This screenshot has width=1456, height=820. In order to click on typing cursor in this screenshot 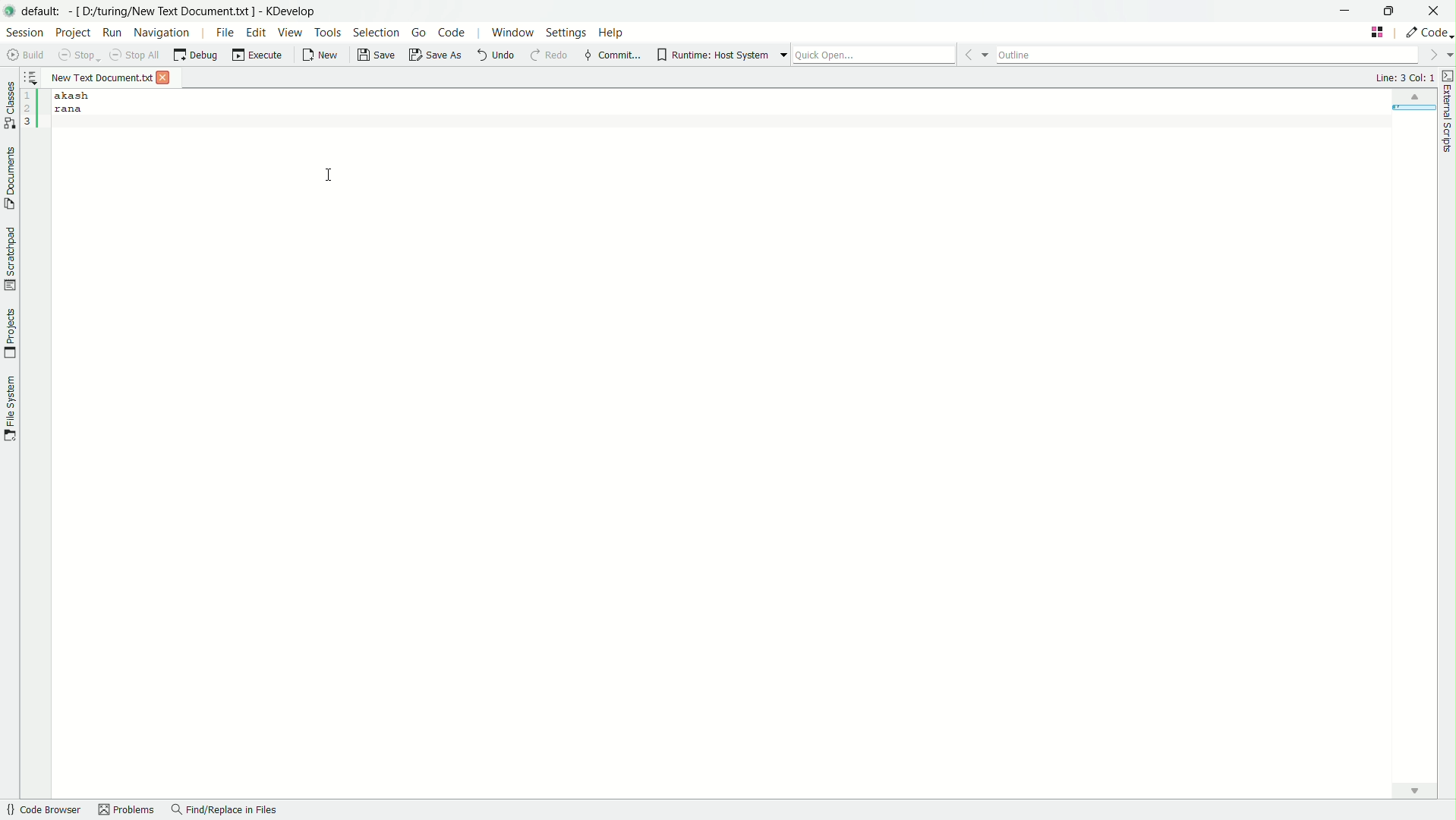, I will do `click(329, 175)`.